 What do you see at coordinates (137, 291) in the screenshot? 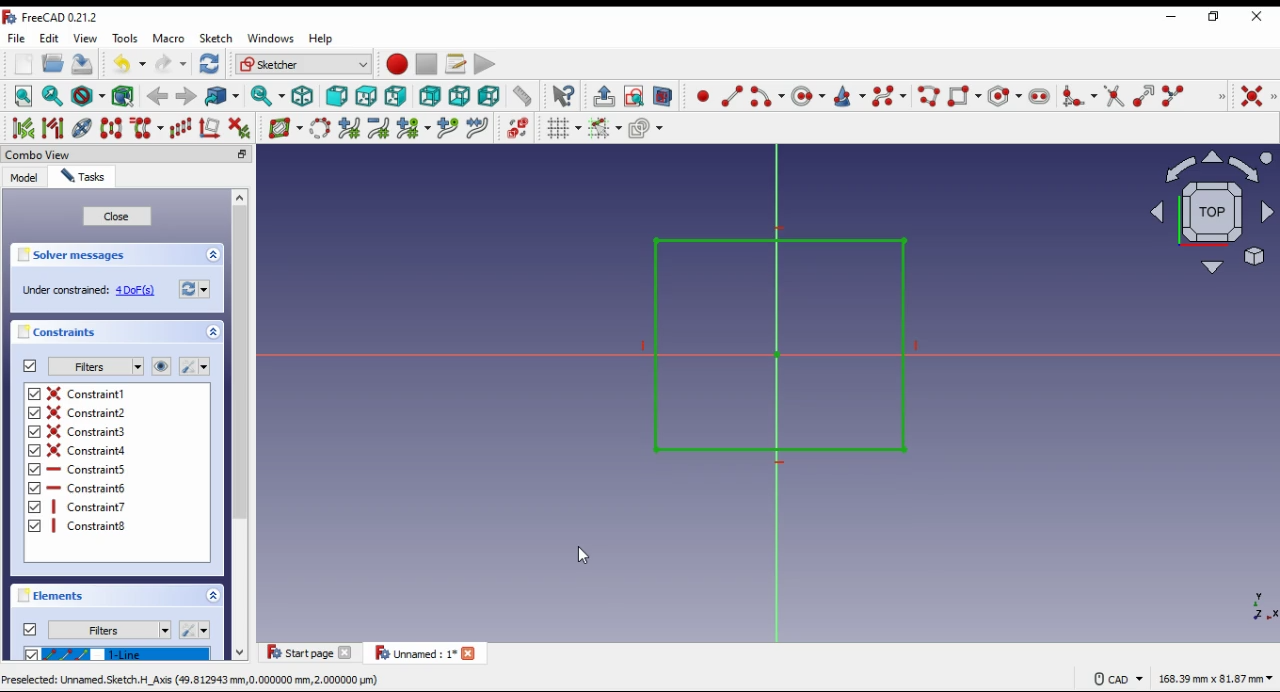
I see `4 DoF(s)` at bounding box center [137, 291].